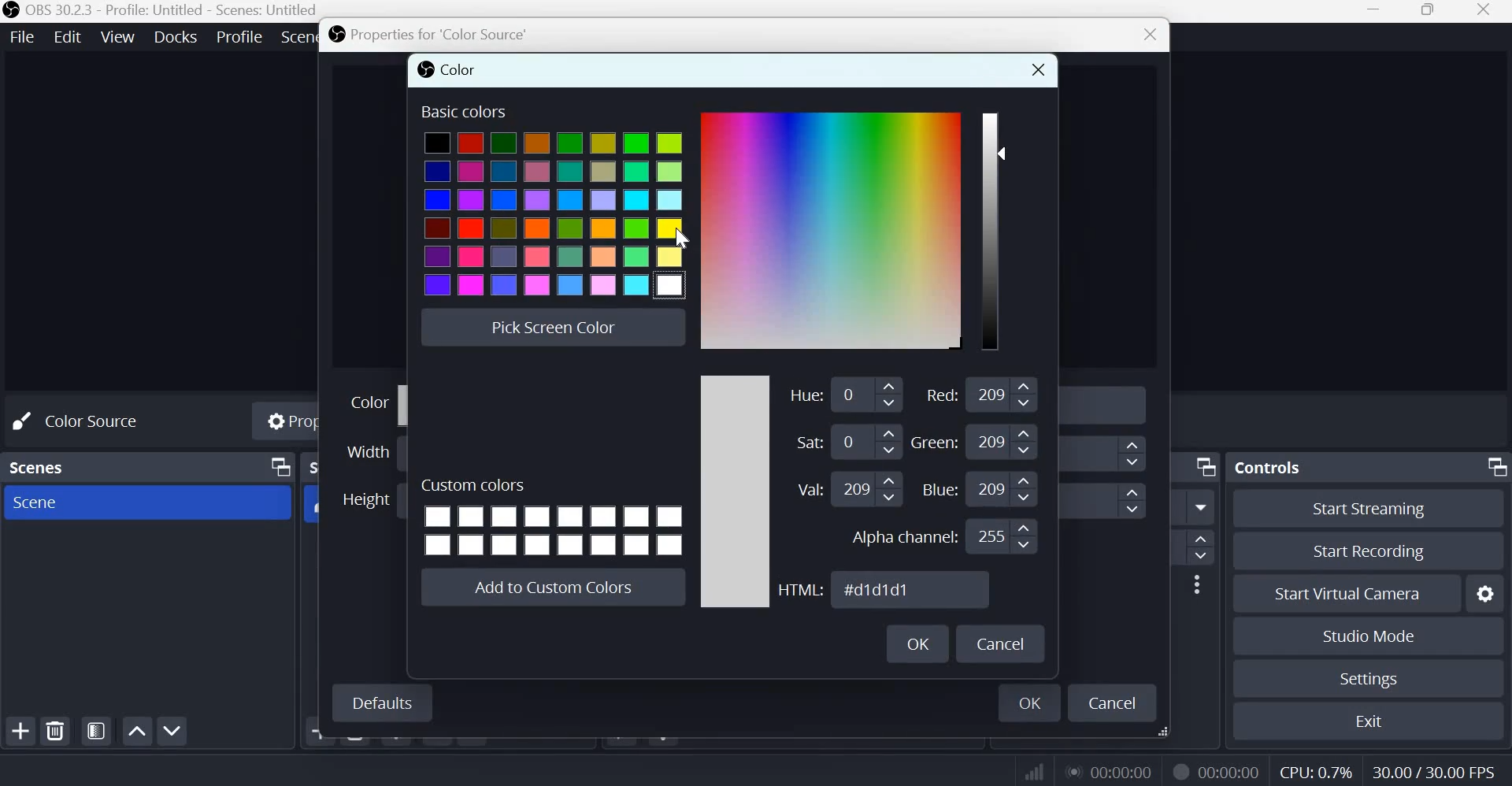 The width and height of the screenshot is (1512, 786). I want to click on Start recording, so click(1377, 552).